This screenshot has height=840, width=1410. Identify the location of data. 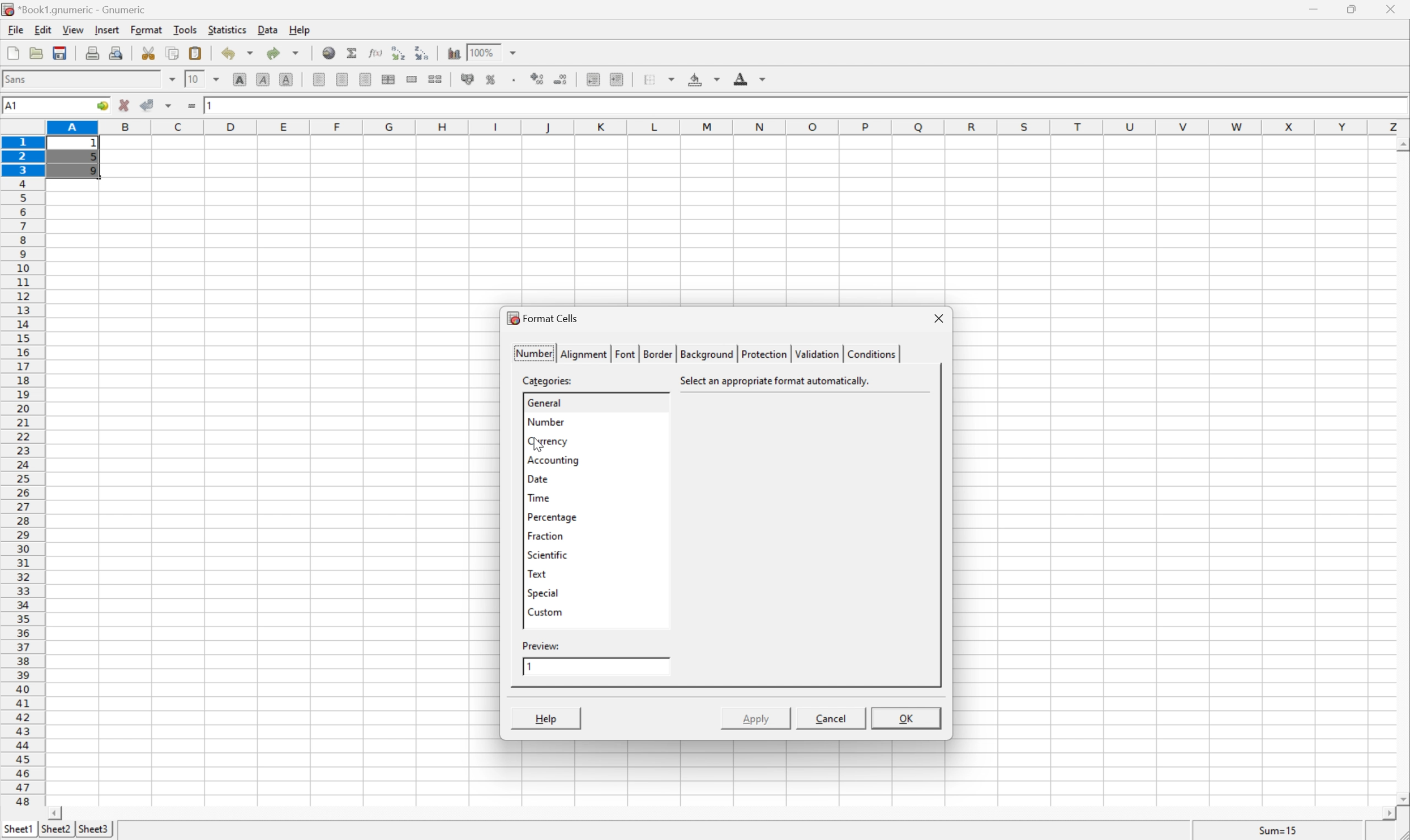
(269, 27).